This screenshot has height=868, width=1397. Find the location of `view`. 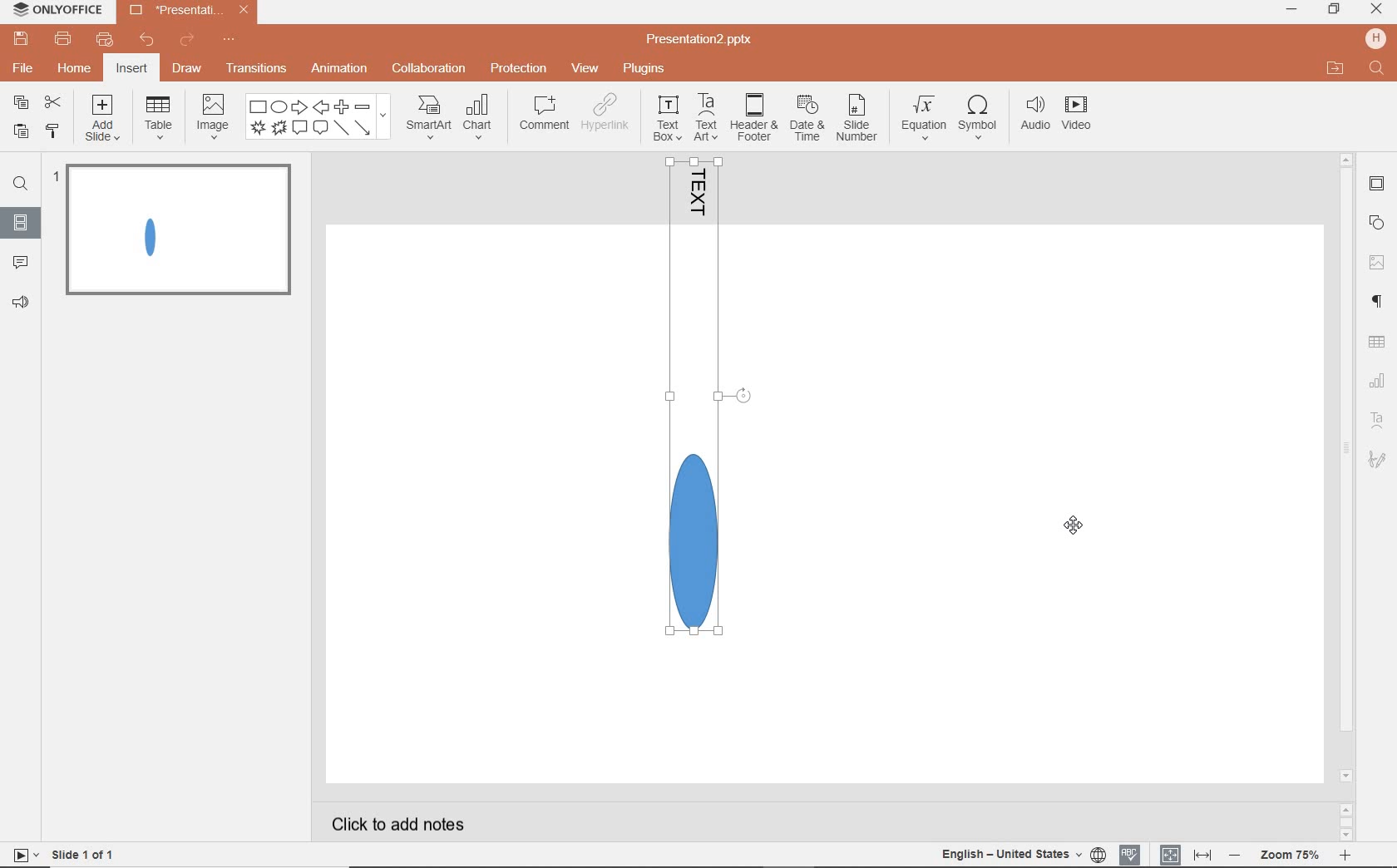

view is located at coordinates (582, 69).